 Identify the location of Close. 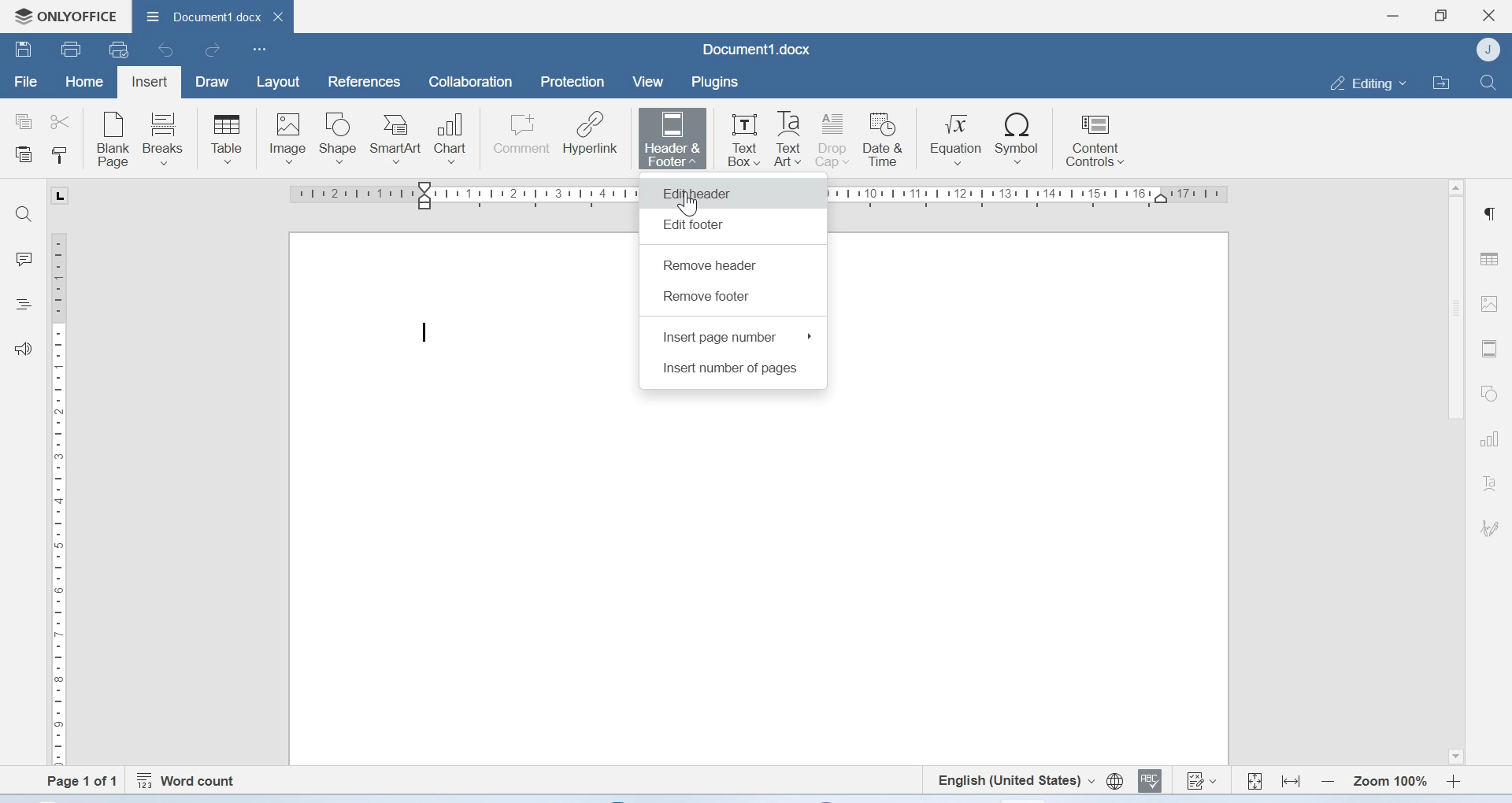
(1489, 16).